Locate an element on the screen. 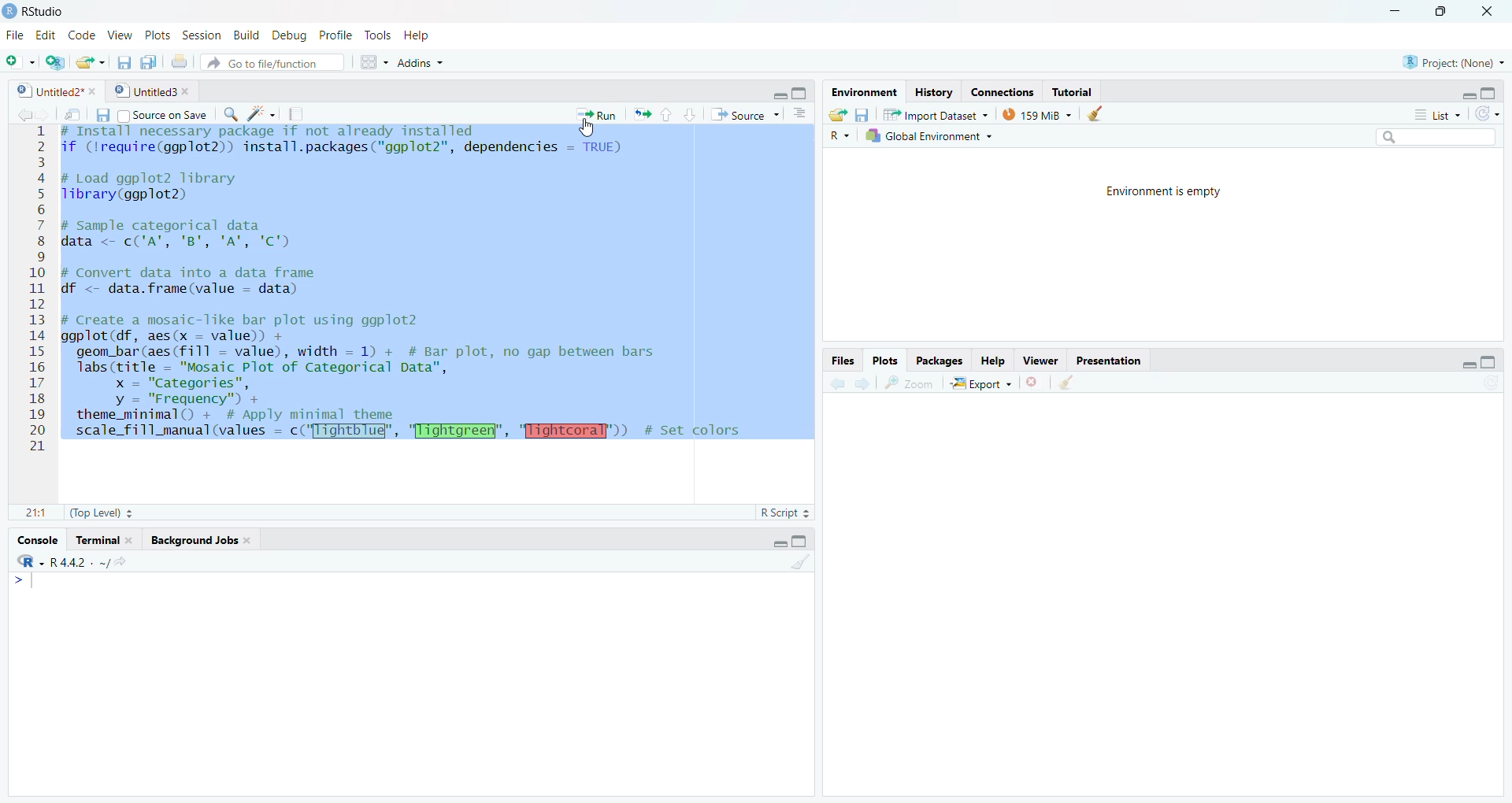 This screenshot has height=803, width=1512. Clean is located at coordinates (1098, 113).